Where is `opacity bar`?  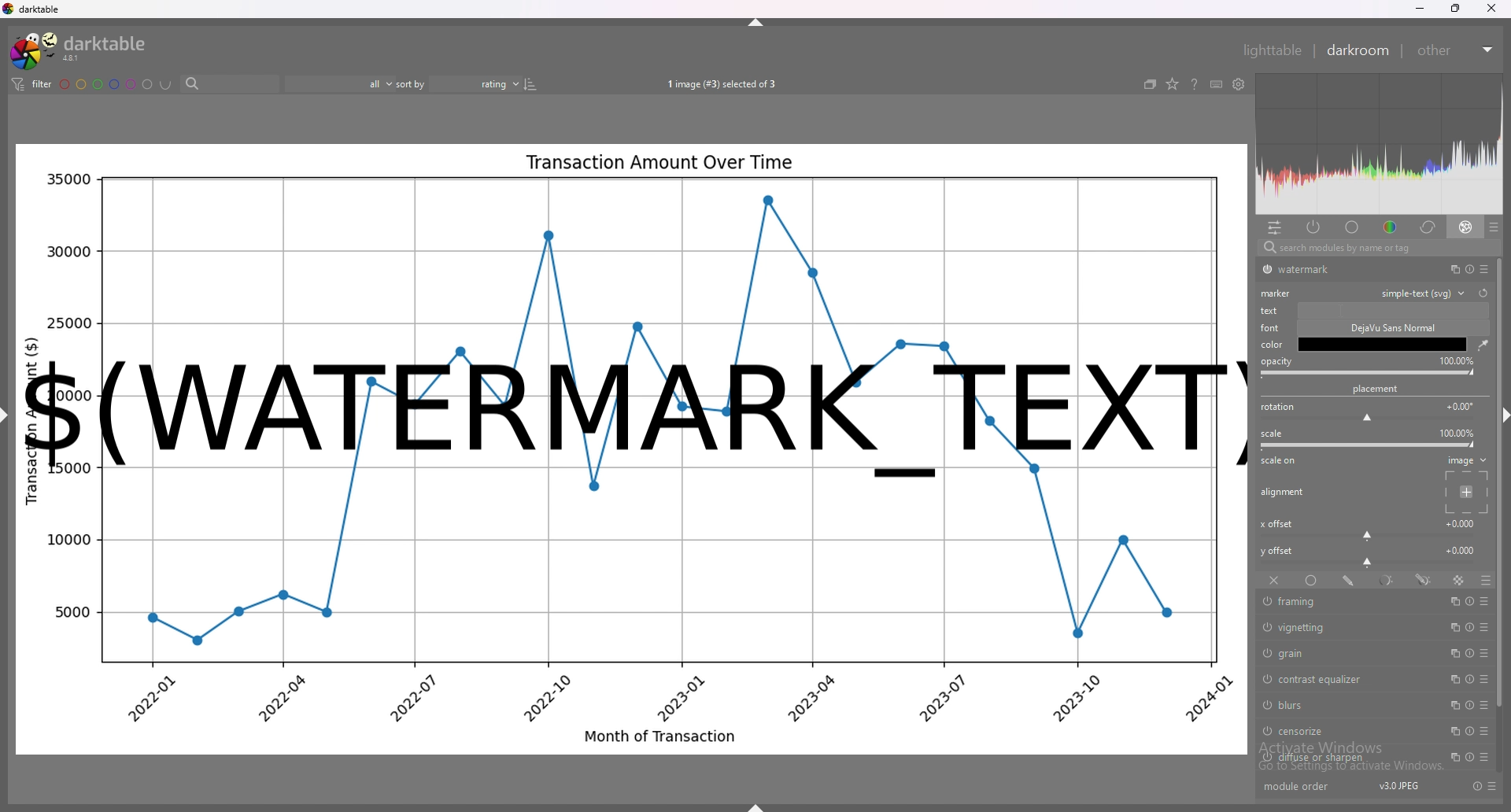 opacity bar is located at coordinates (1368, 374).